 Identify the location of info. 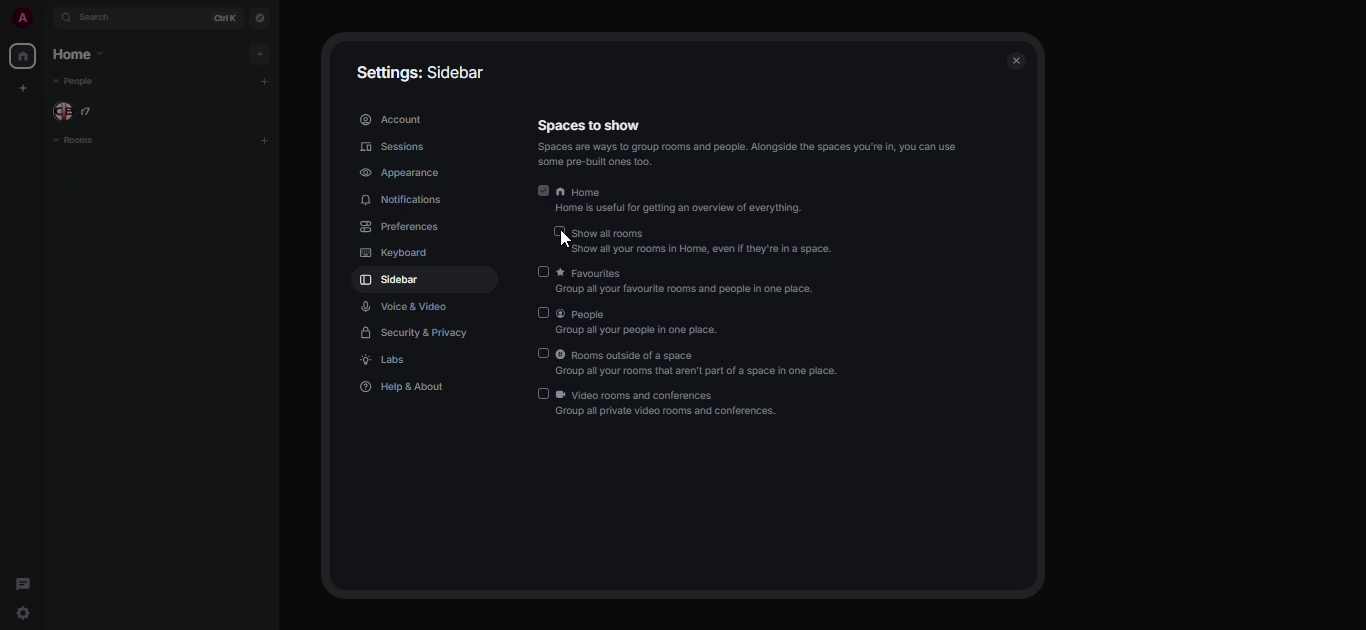
(752, 156).